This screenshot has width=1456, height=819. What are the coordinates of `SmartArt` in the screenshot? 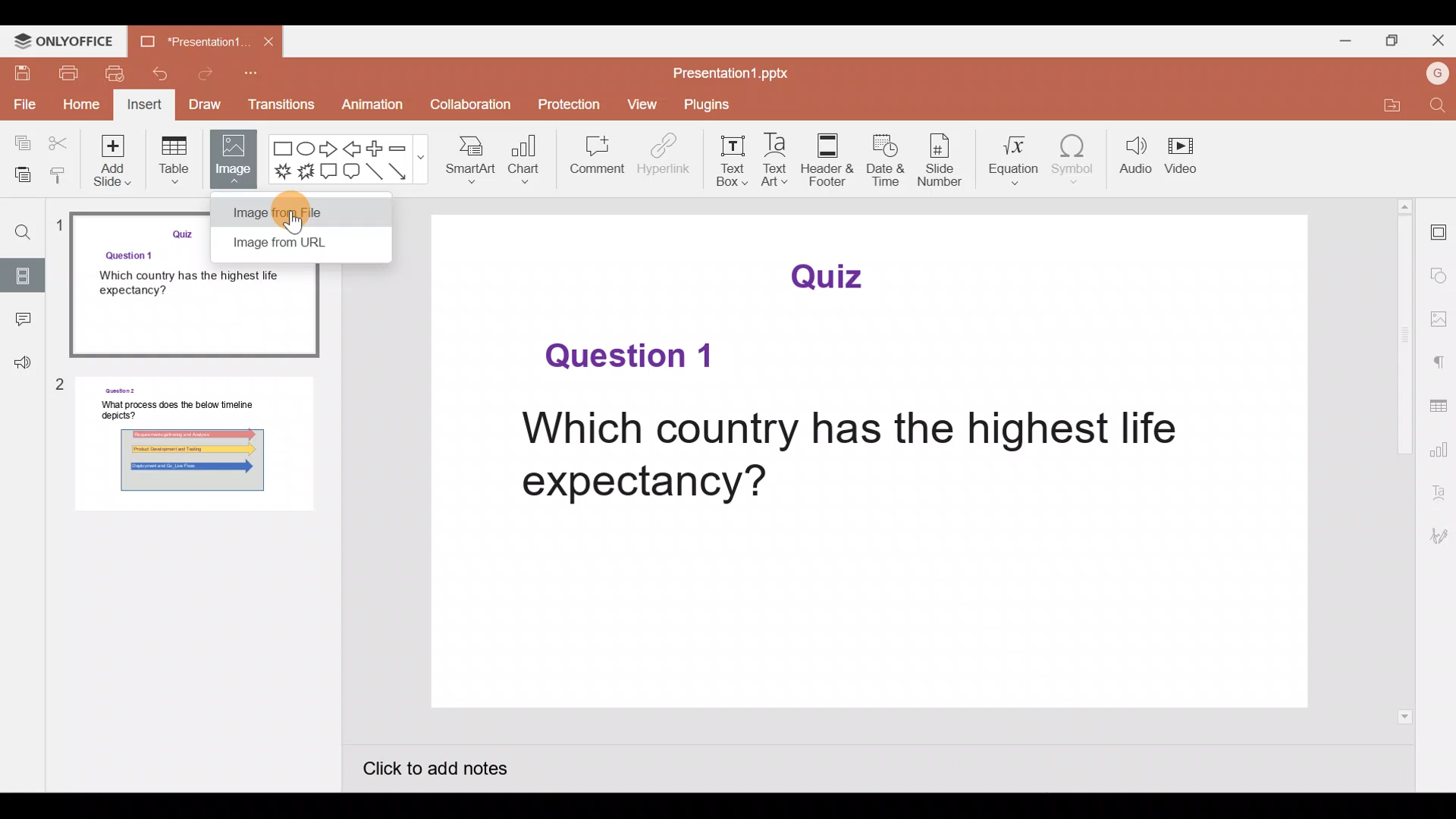 It's located at (474, 160).